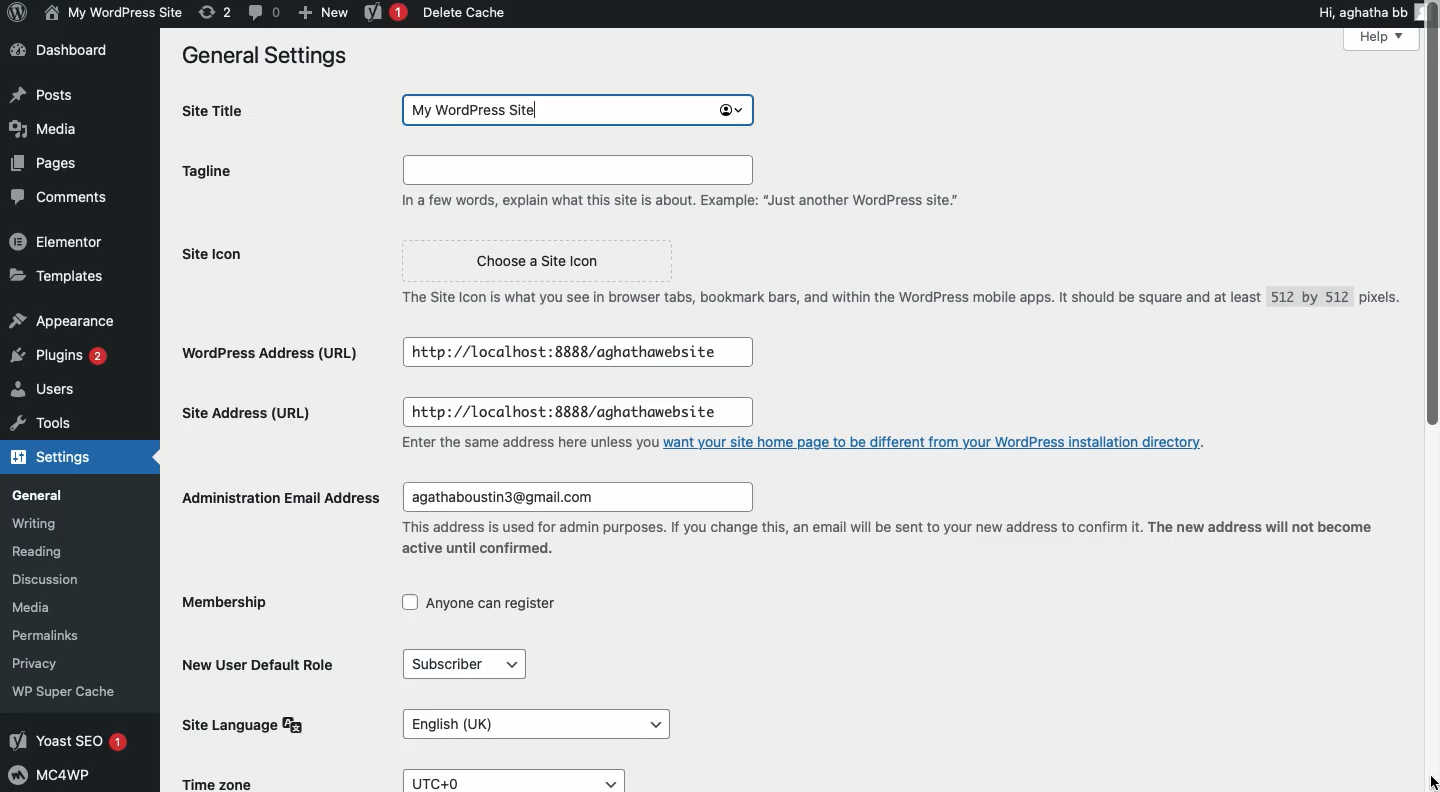  I want to click on Dashboard, so click(63, 55).